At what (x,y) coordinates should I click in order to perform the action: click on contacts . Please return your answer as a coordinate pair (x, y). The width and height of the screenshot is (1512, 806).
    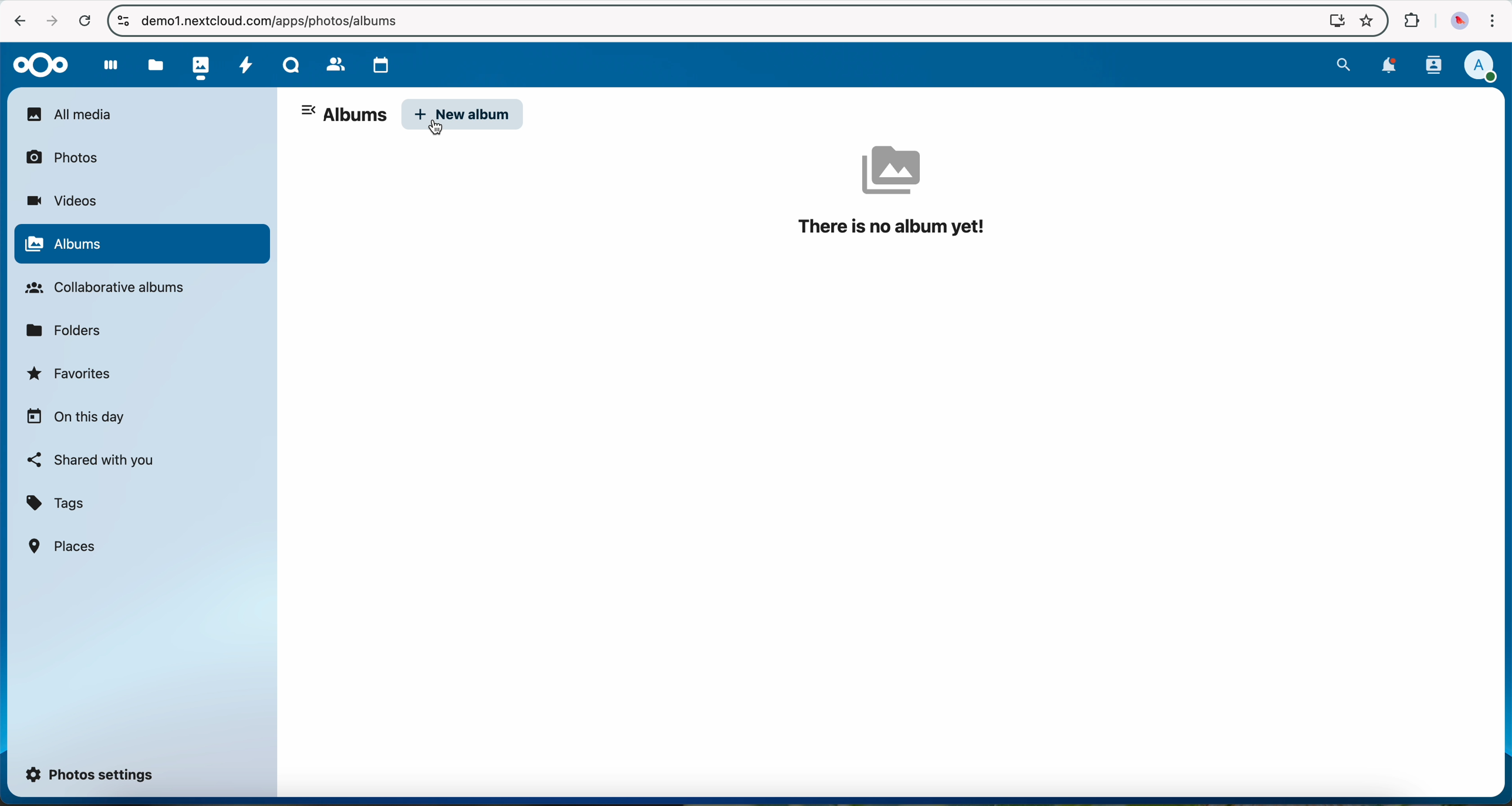
    Looking at the image, I should click on (331, 62).